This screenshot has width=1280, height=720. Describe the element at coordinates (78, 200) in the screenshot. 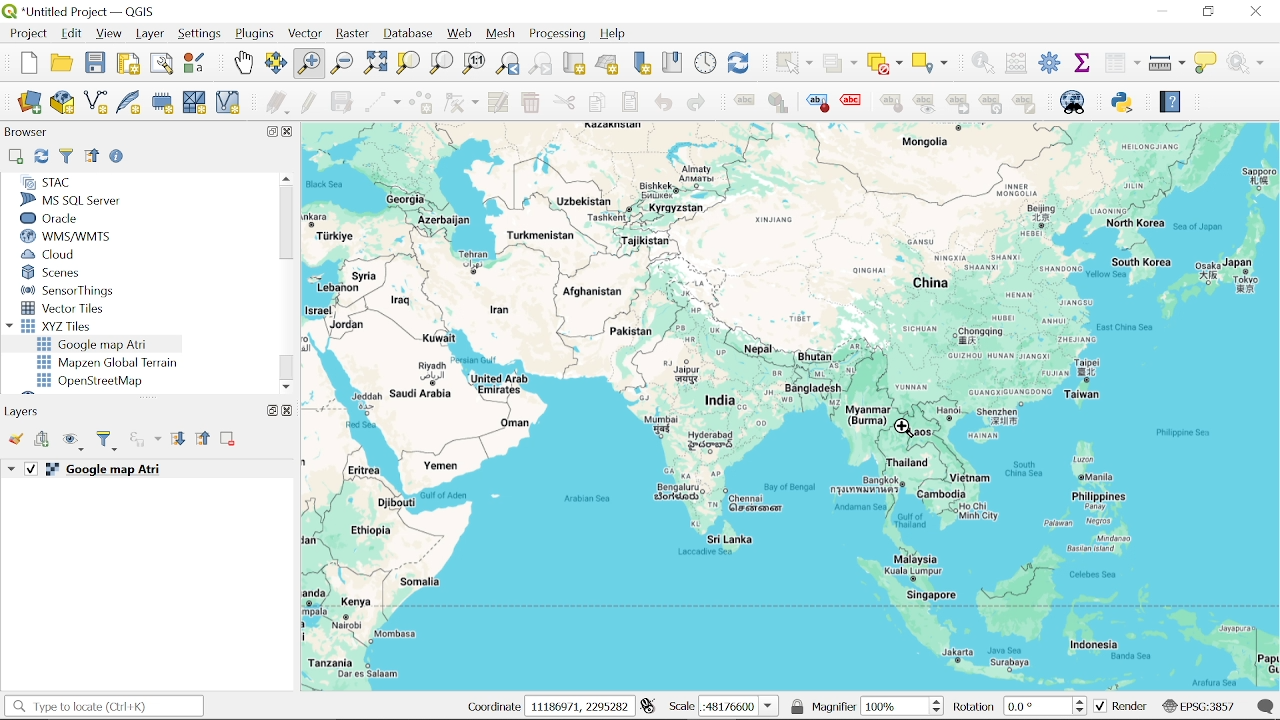

I see `MS SQL Server` at that location.